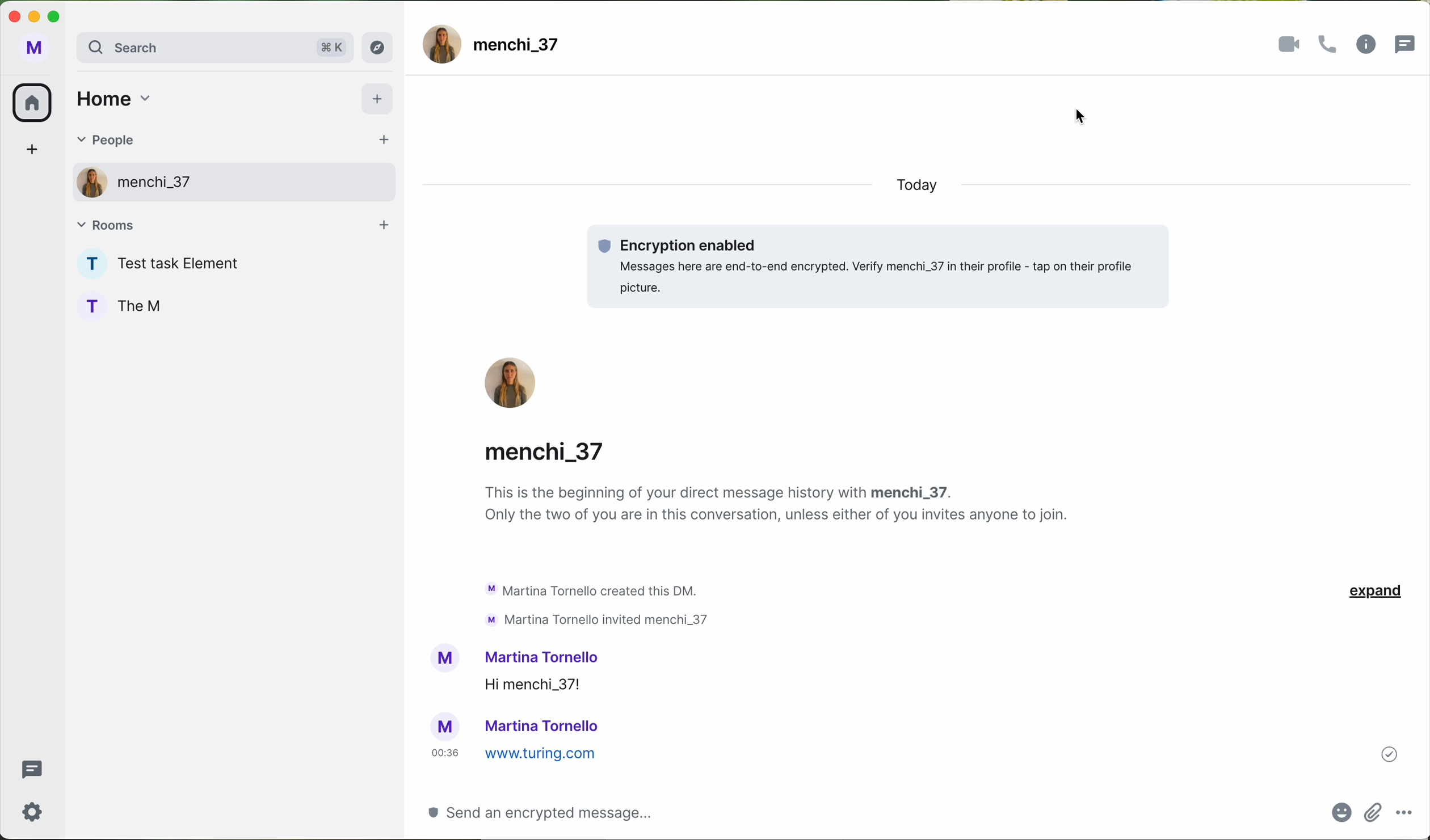  What do you see at coordinates (442, 655) in the screenshot?
I see `profile picture` at bounding box center [442, 655].